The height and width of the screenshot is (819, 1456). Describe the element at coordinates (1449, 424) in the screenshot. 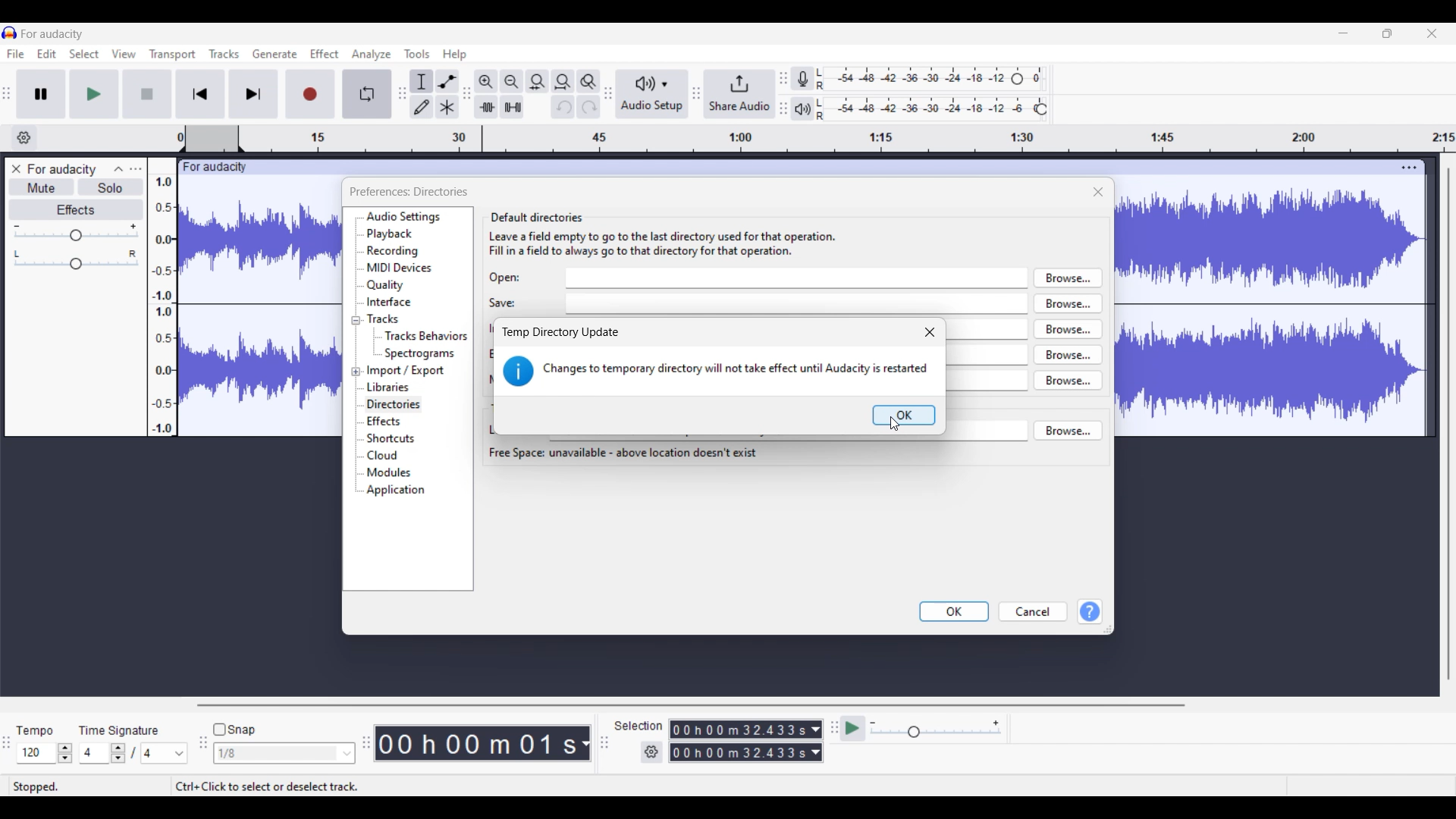

I see `Vertical scroll bar` at that location.